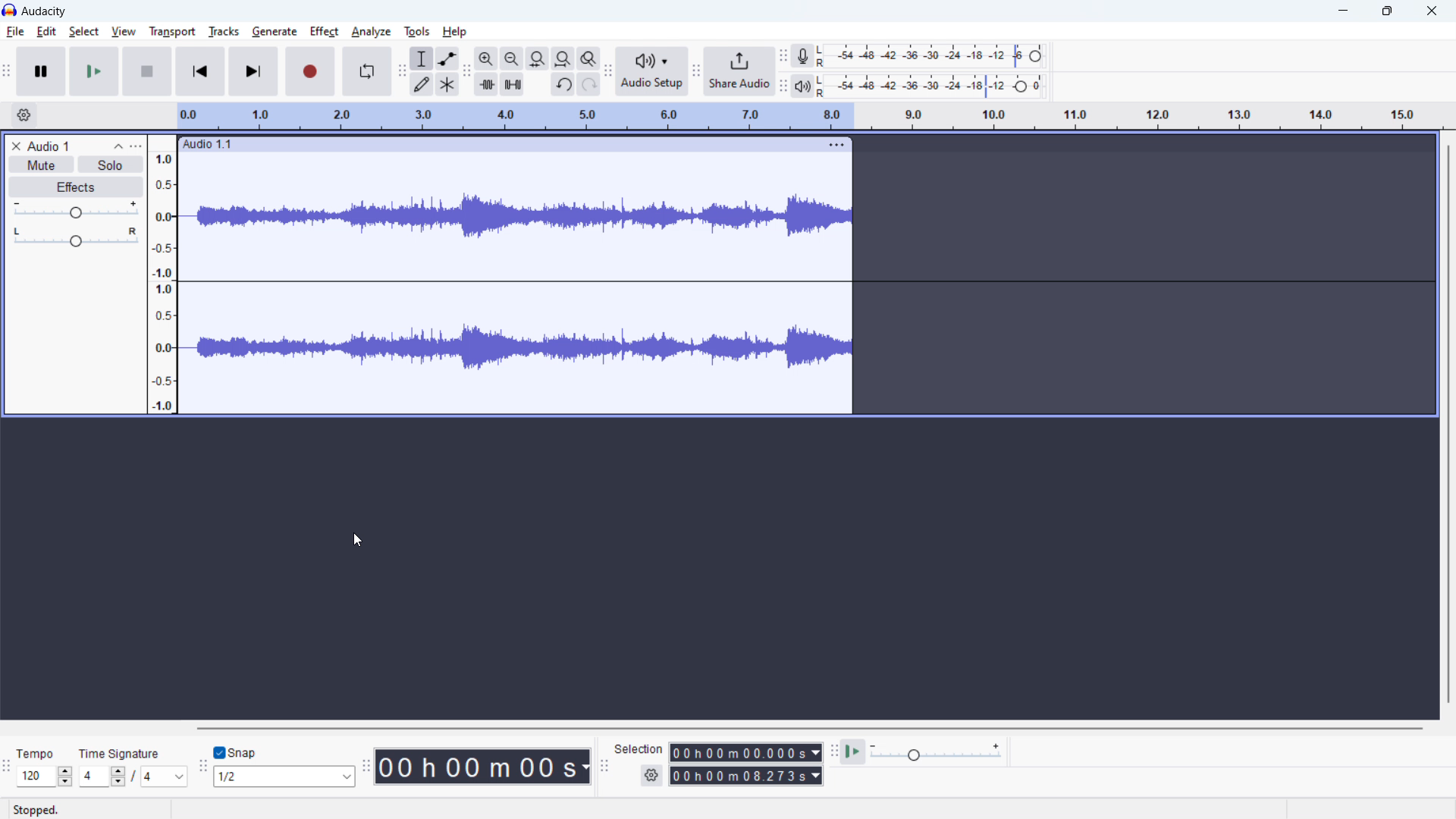 This screenshot has width=1456, height=819. Describe the element at coordinates (651, 776) in the screenshot. I see `selection settings` at that location.